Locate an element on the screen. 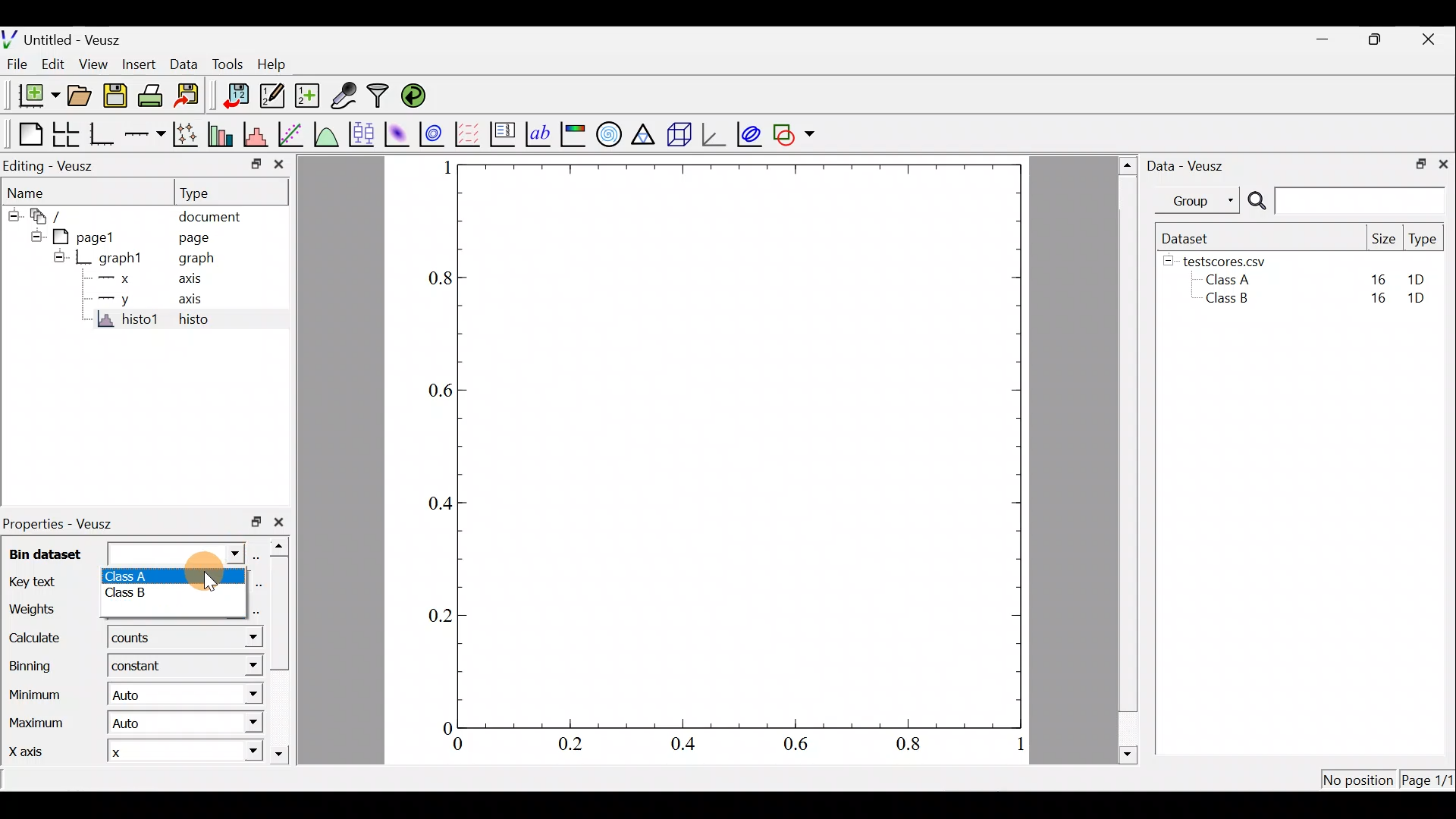 The width and height of the screenshot is (1456, 819). Image color bar is located at coordinates (573, 134).